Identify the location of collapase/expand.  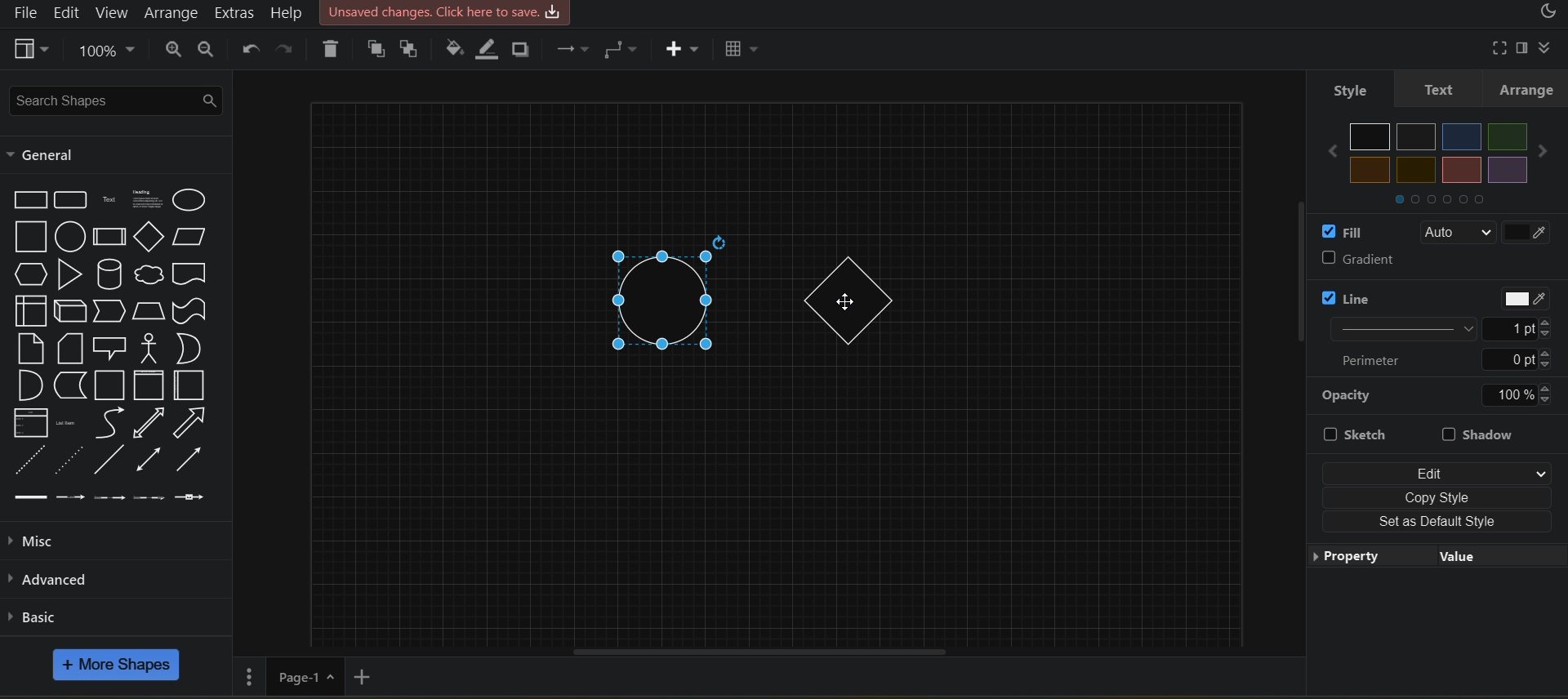
(1543, 46).